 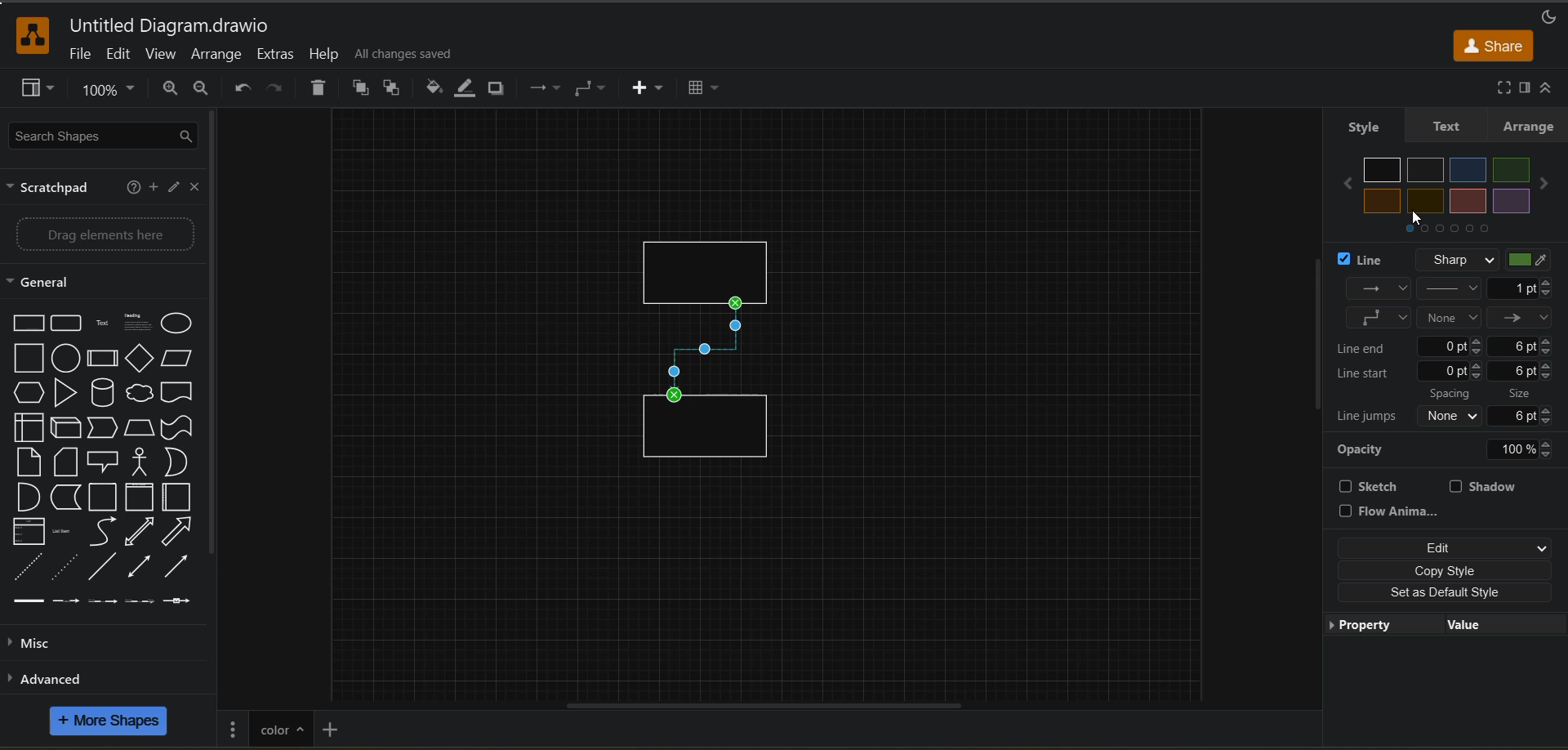 I want to click on fill color, so click(x=435, y=88).